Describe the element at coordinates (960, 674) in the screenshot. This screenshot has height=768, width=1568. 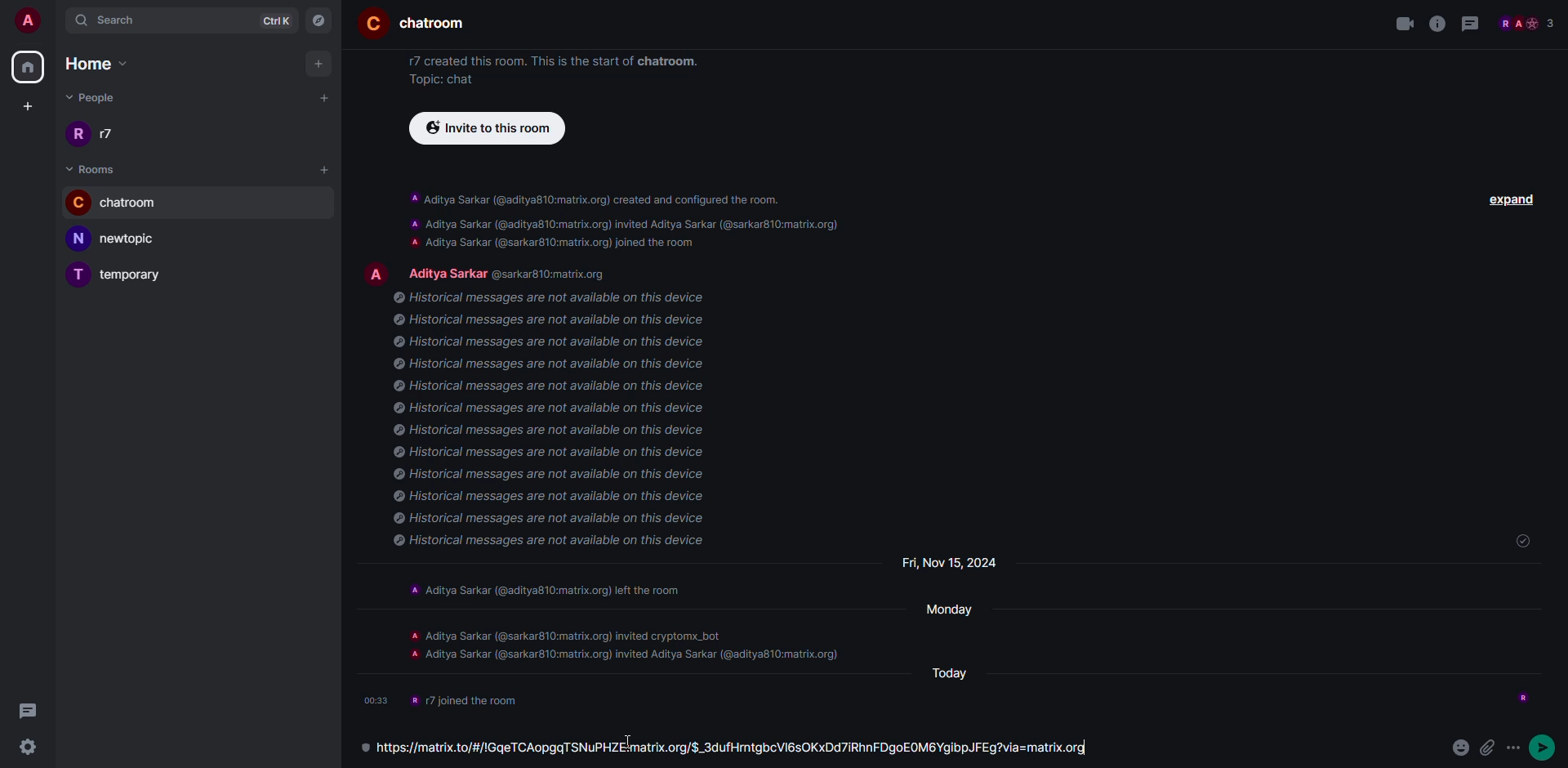
I see `day` at that location.